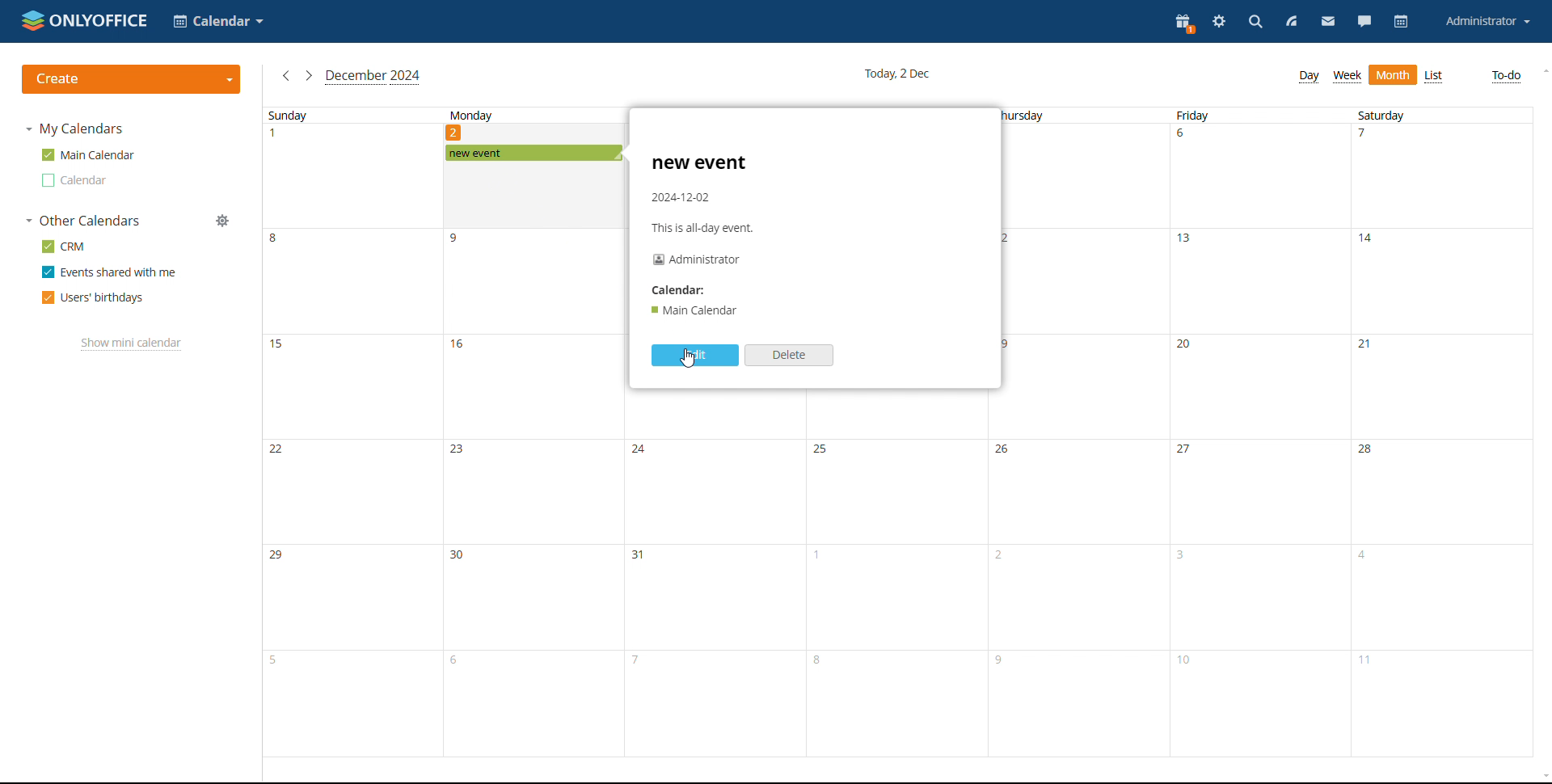 The width and height of the screenshot is (1552, 784). What do you see at coordinates (285, 76) in the screenshot?
I see `previous month` at bounding box center [285, 76].